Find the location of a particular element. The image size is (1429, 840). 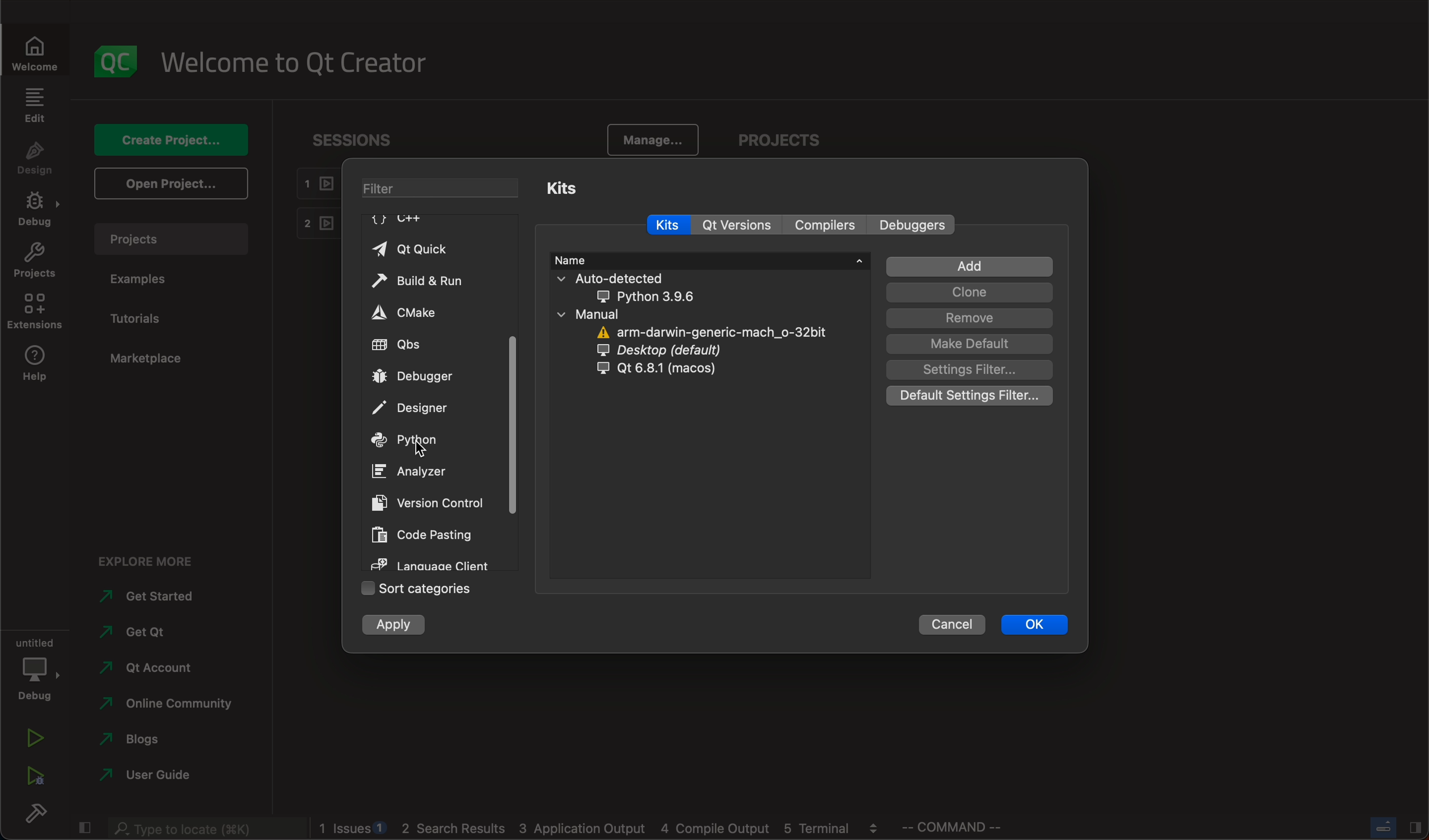

tutorials is located at coordinates (139, 320).